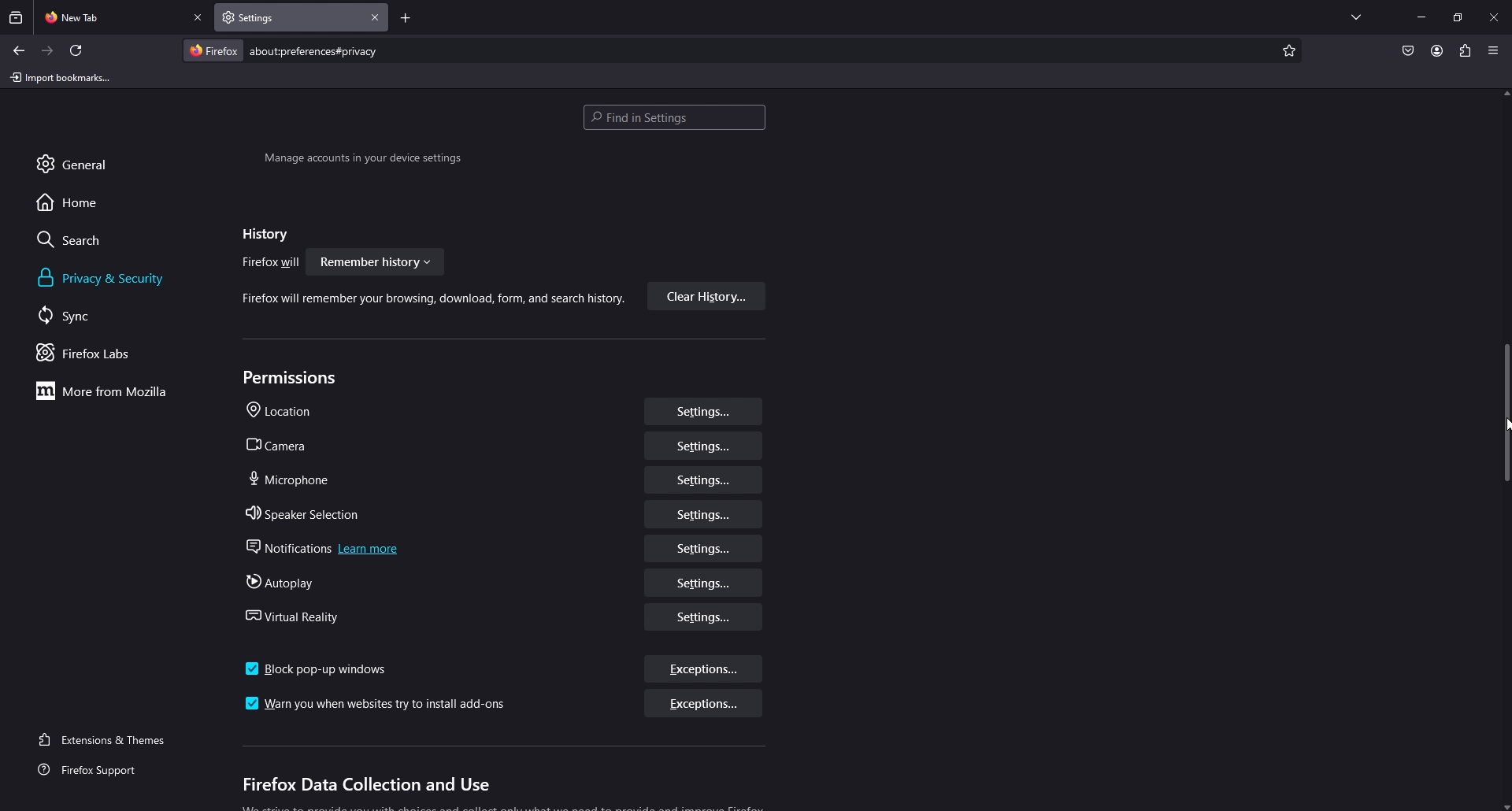  Describe the element at coordinates (1503, 428) in the screenshot. I see `cursor` at that location.